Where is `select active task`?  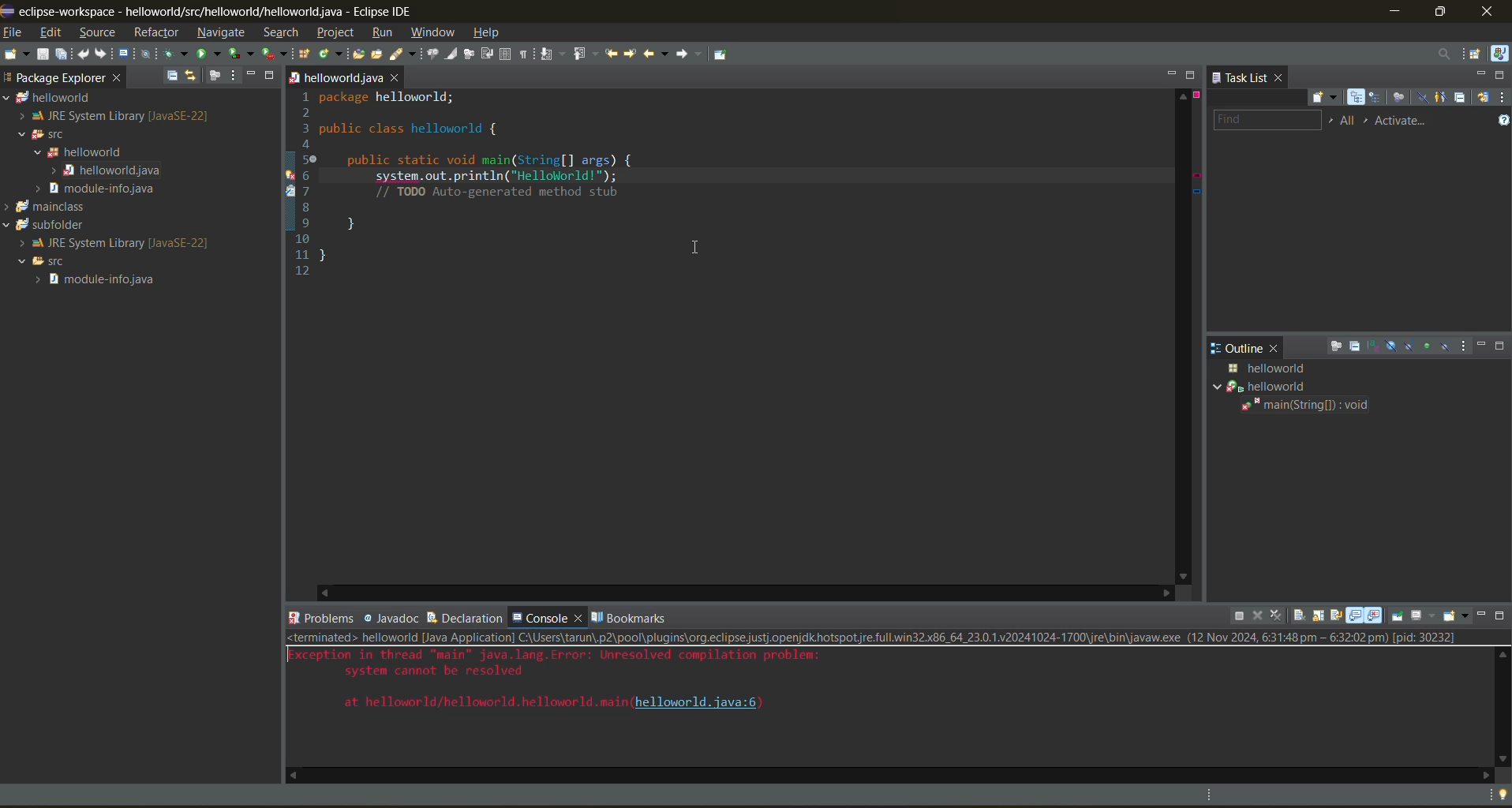 select active task is located at coordinates (1367, 121).